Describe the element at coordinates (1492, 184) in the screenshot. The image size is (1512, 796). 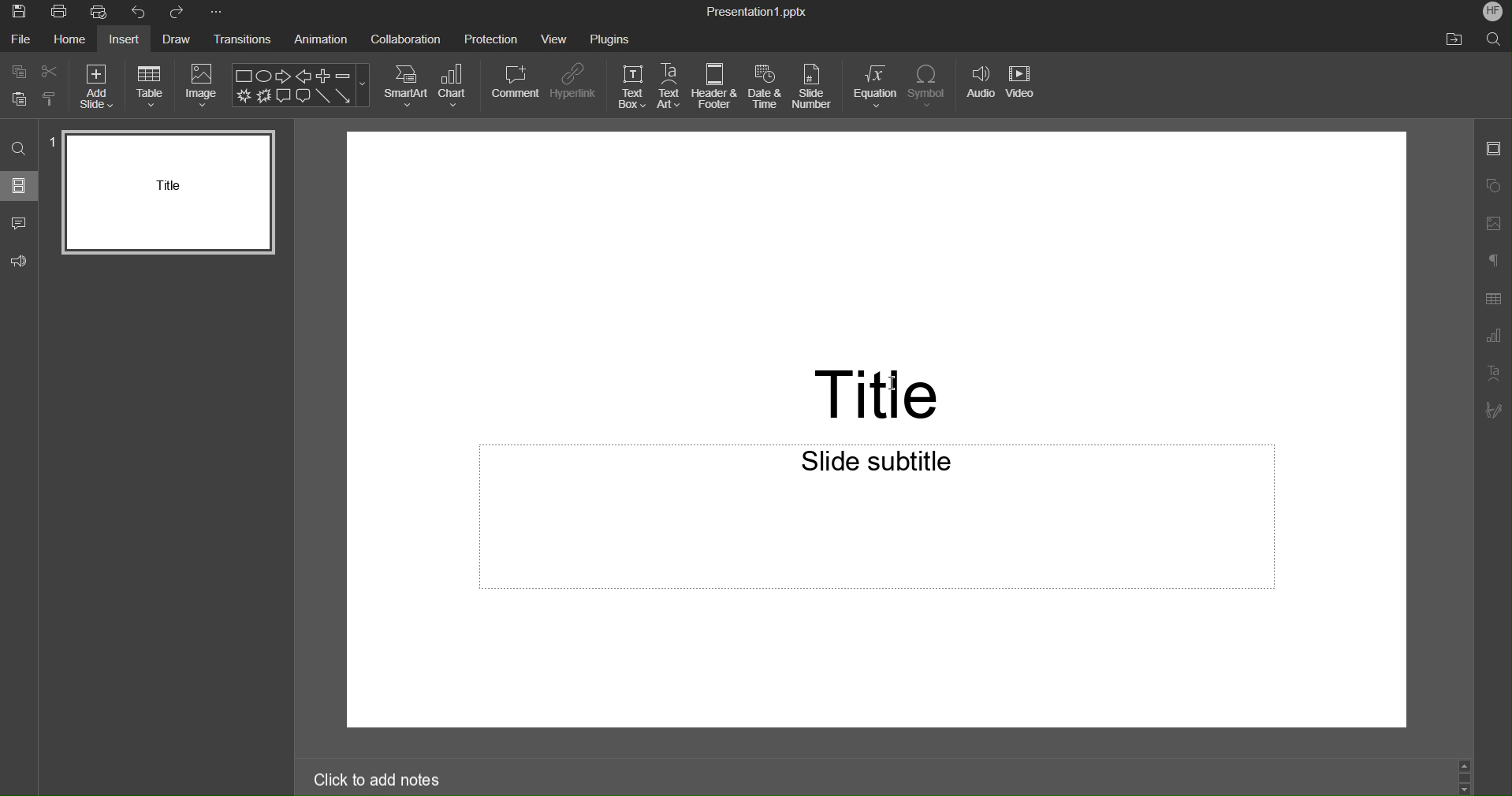
I see `Shape Settings` at that location.